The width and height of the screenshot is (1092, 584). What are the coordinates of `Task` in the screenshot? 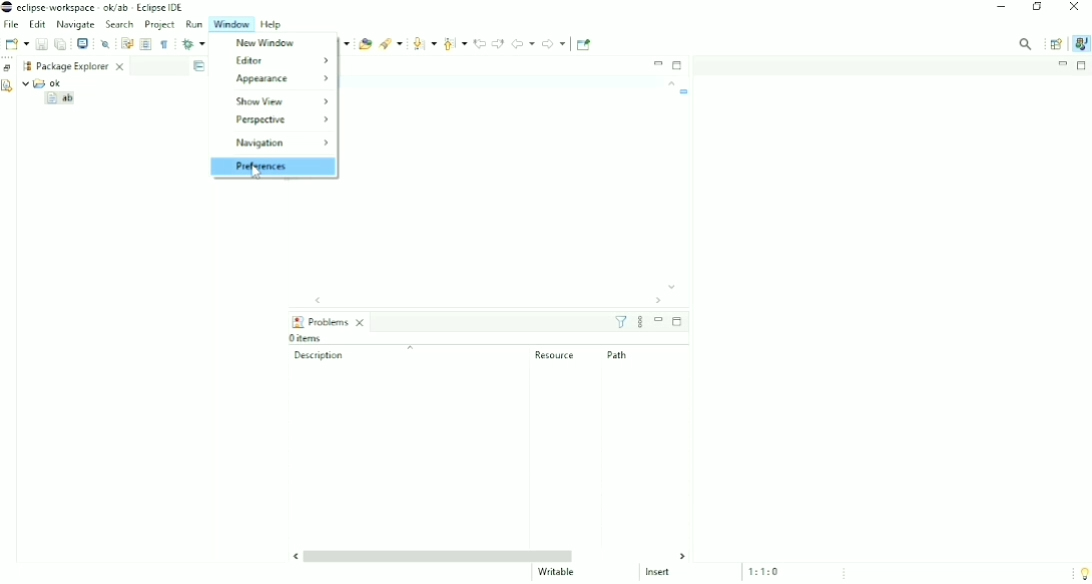 It's located at (685, 92).